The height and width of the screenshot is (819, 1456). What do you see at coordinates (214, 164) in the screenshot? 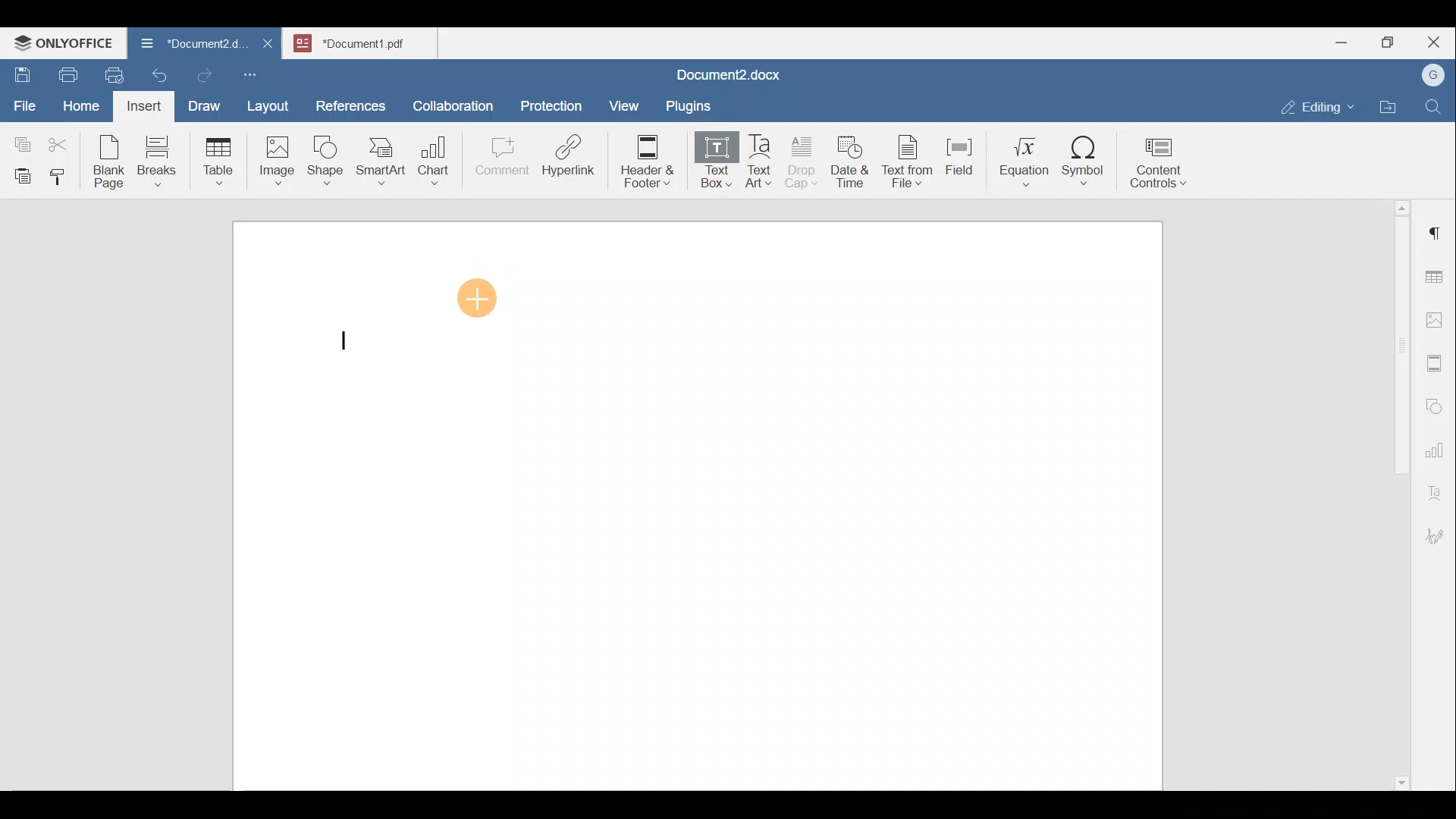
I see `Table` at bounding box center [214, 164].